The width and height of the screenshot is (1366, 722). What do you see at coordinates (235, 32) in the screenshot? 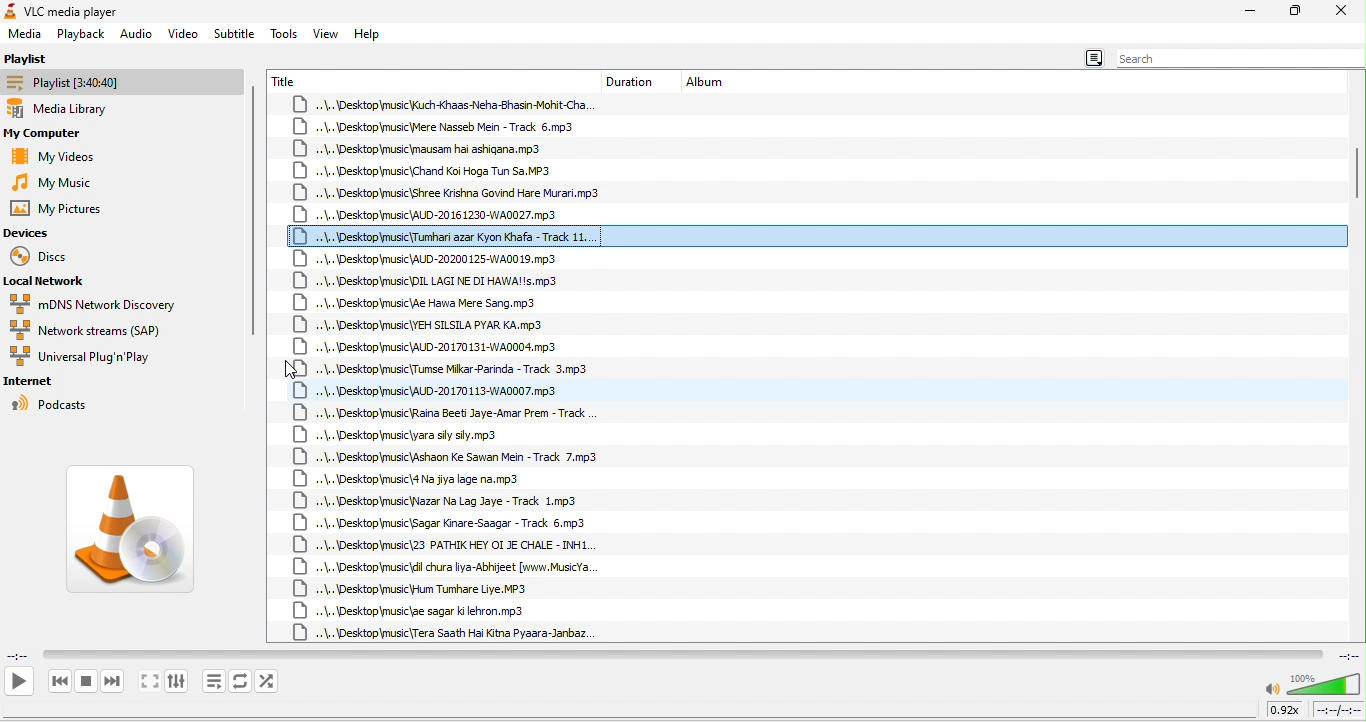
I see `subtitle` at bounding box center [235, 32].